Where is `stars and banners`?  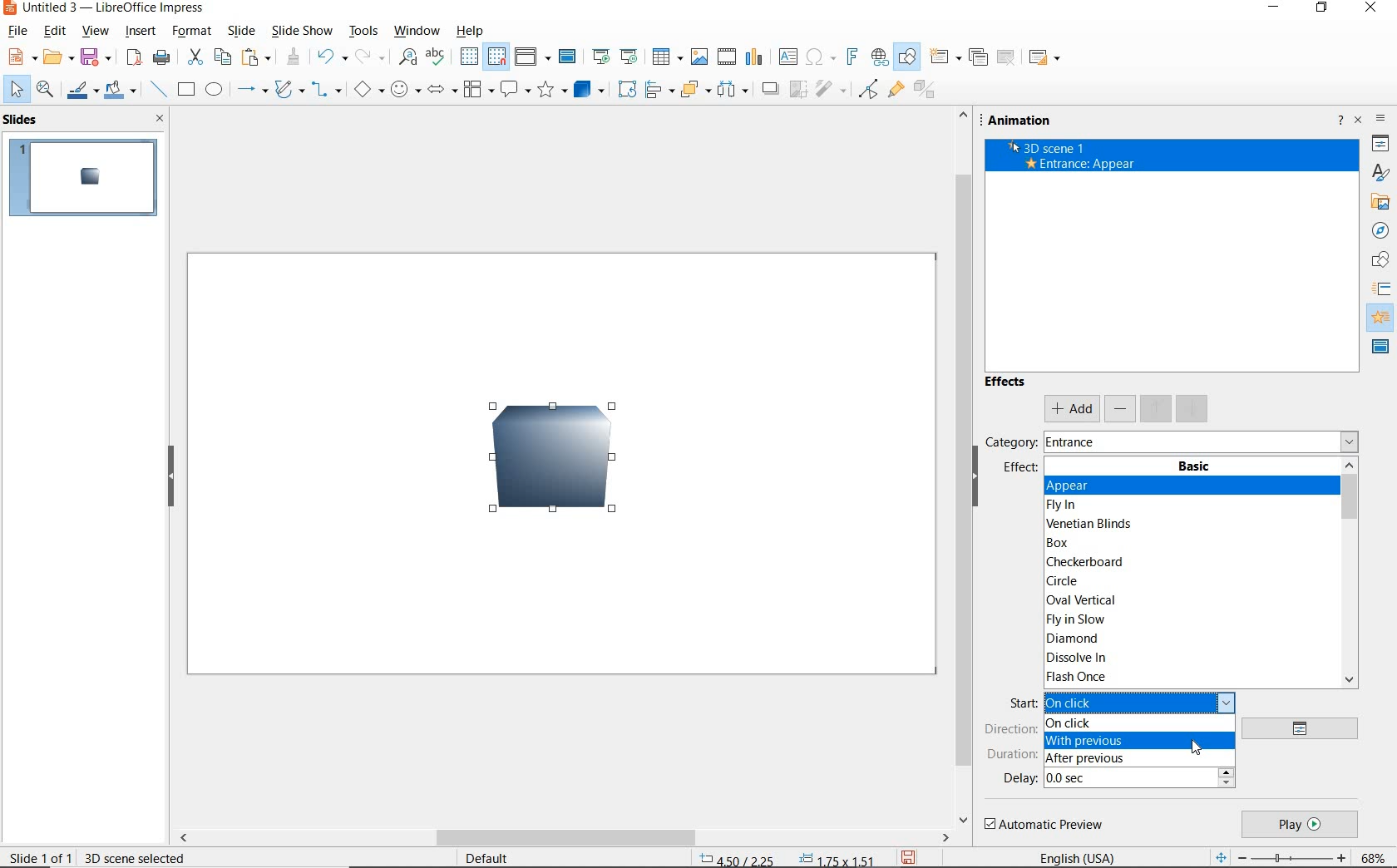
stars and banners is located at coordinates (553, 91).